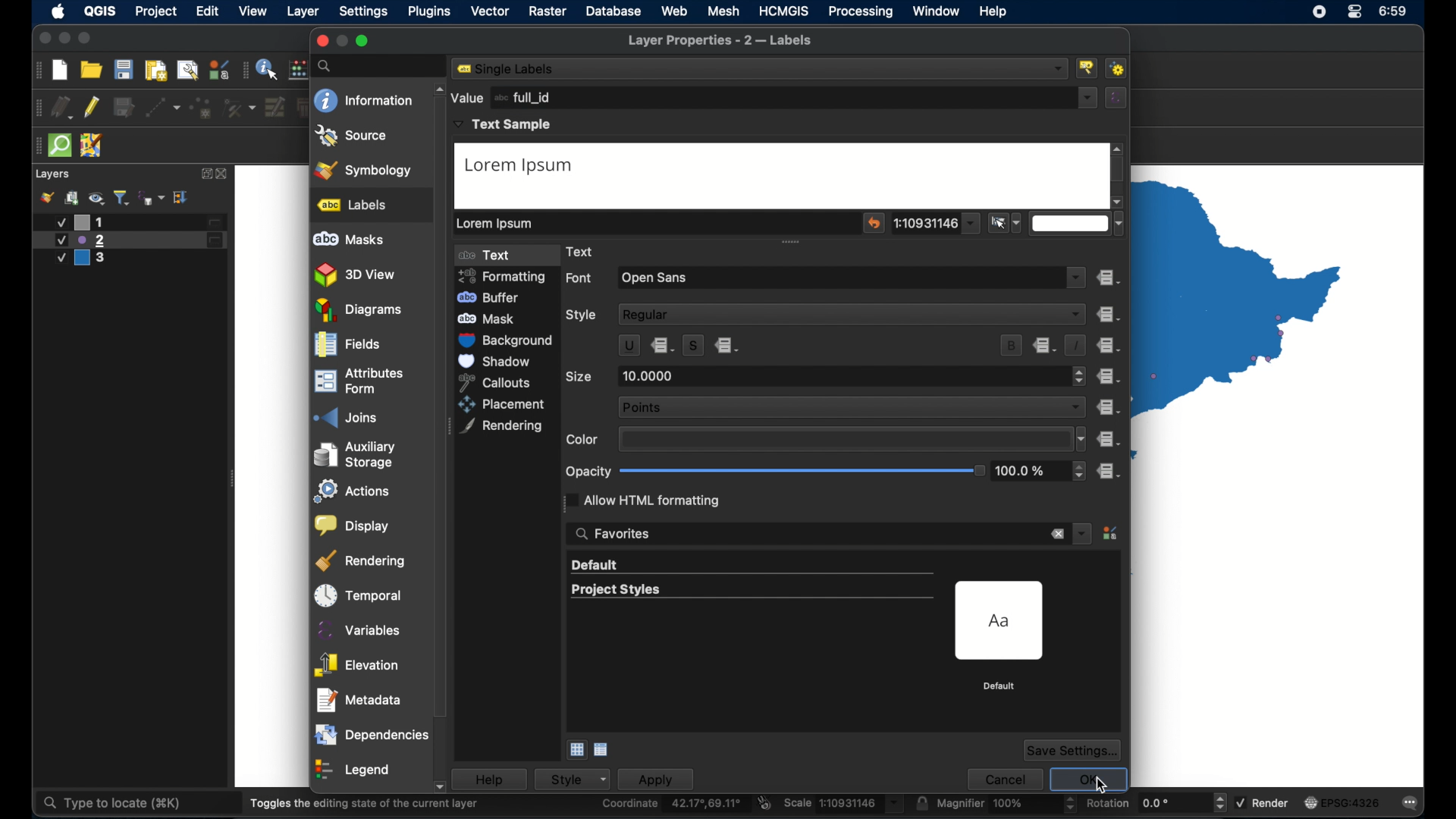 This screenshot has height=819, width=1456. I want to click on setto current  canvas scale, so click(1006, 222).